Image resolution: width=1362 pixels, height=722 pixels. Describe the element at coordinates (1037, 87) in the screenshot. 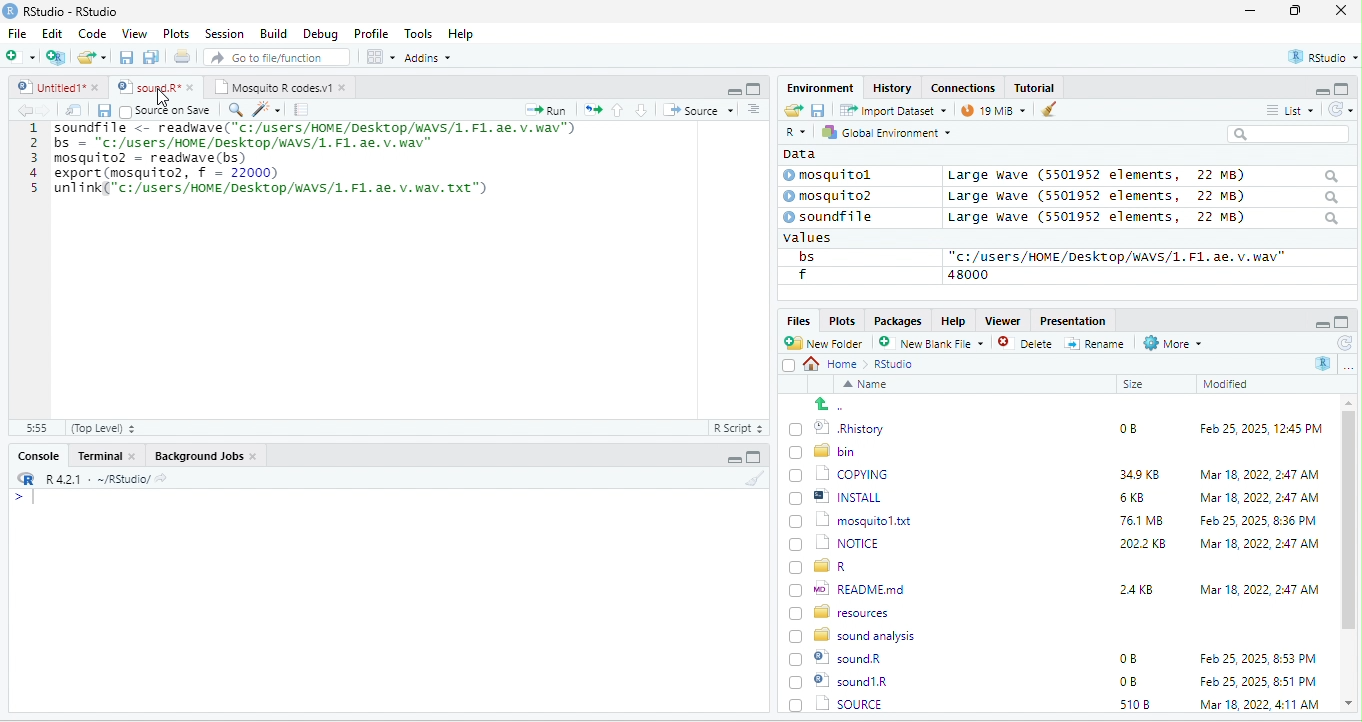

I see `Tutorial` at that location.